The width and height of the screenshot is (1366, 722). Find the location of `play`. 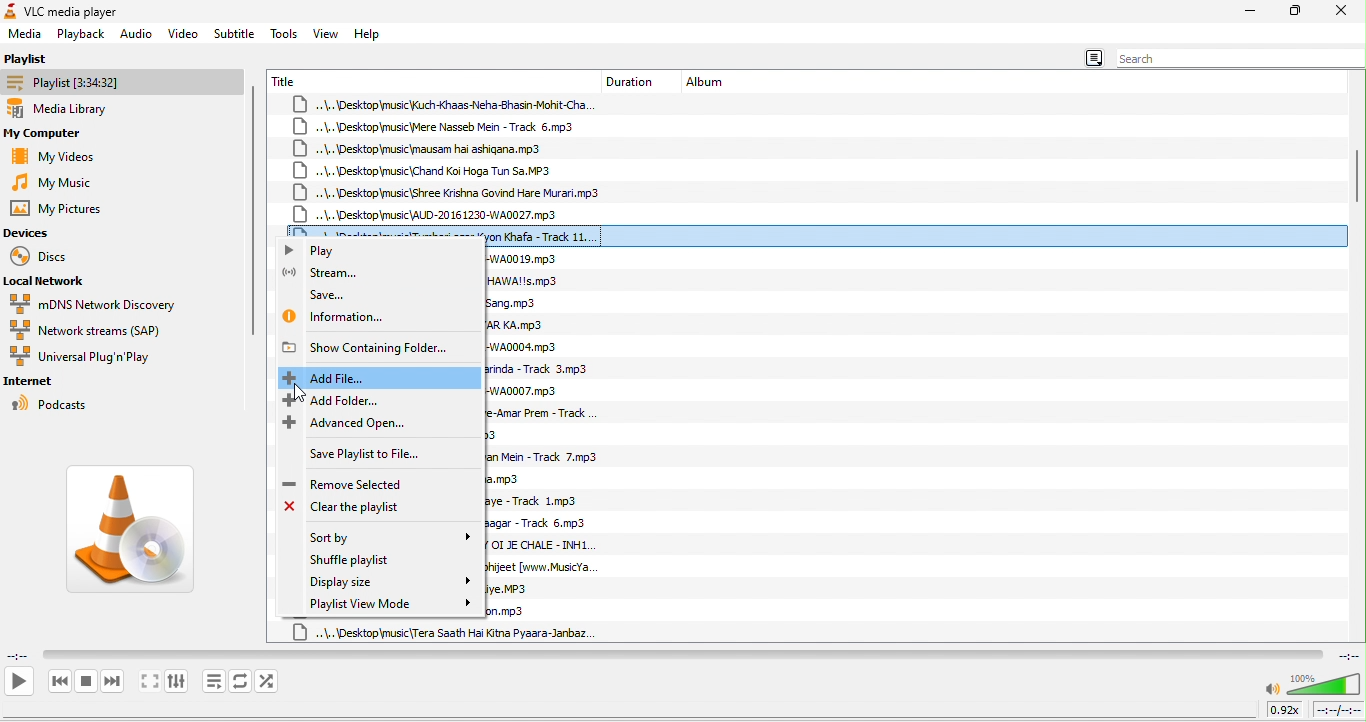

play is located at coordinates (326, 250).